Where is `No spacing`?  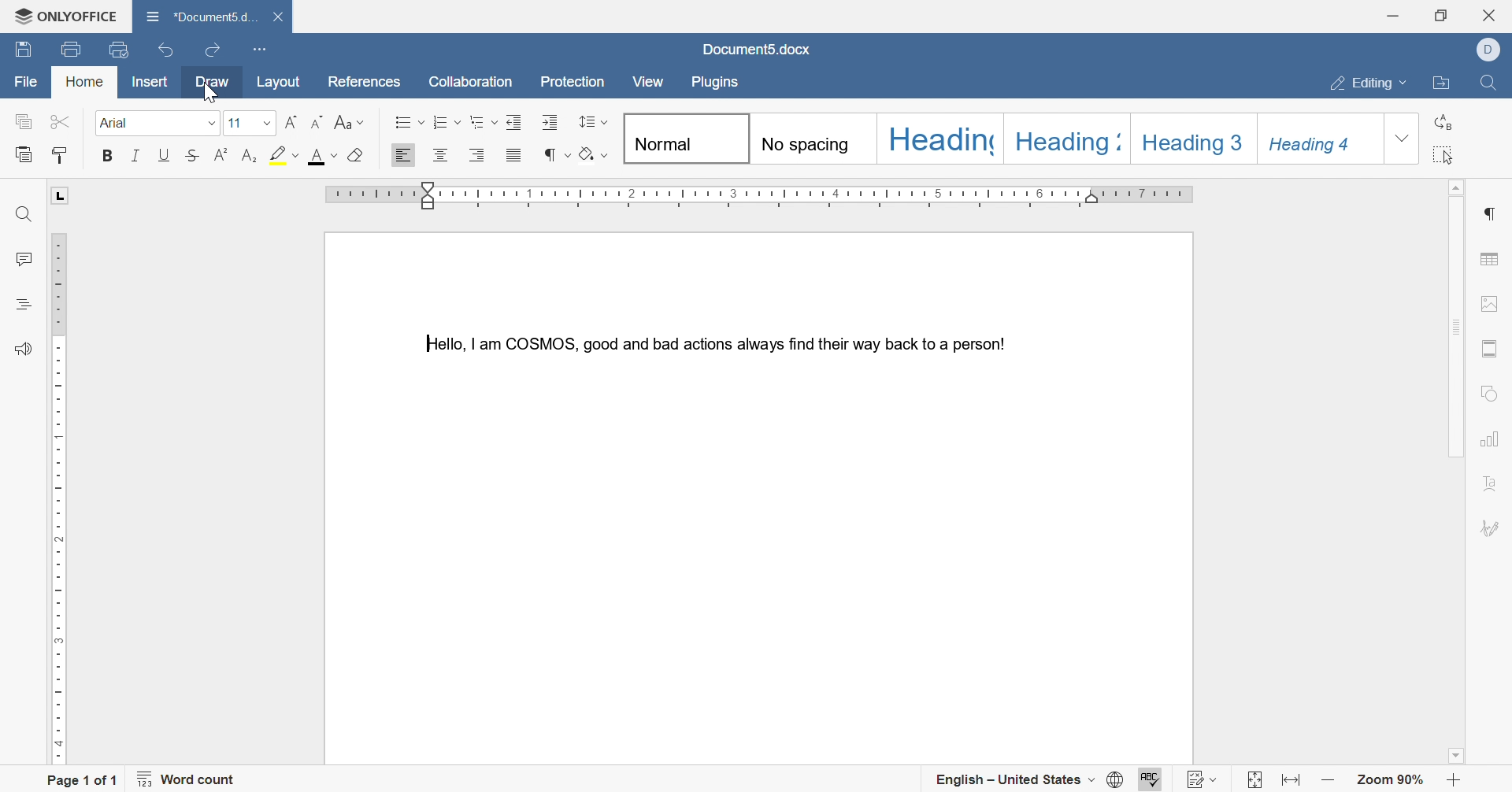
No spacing is located at coordinates (804, 139).